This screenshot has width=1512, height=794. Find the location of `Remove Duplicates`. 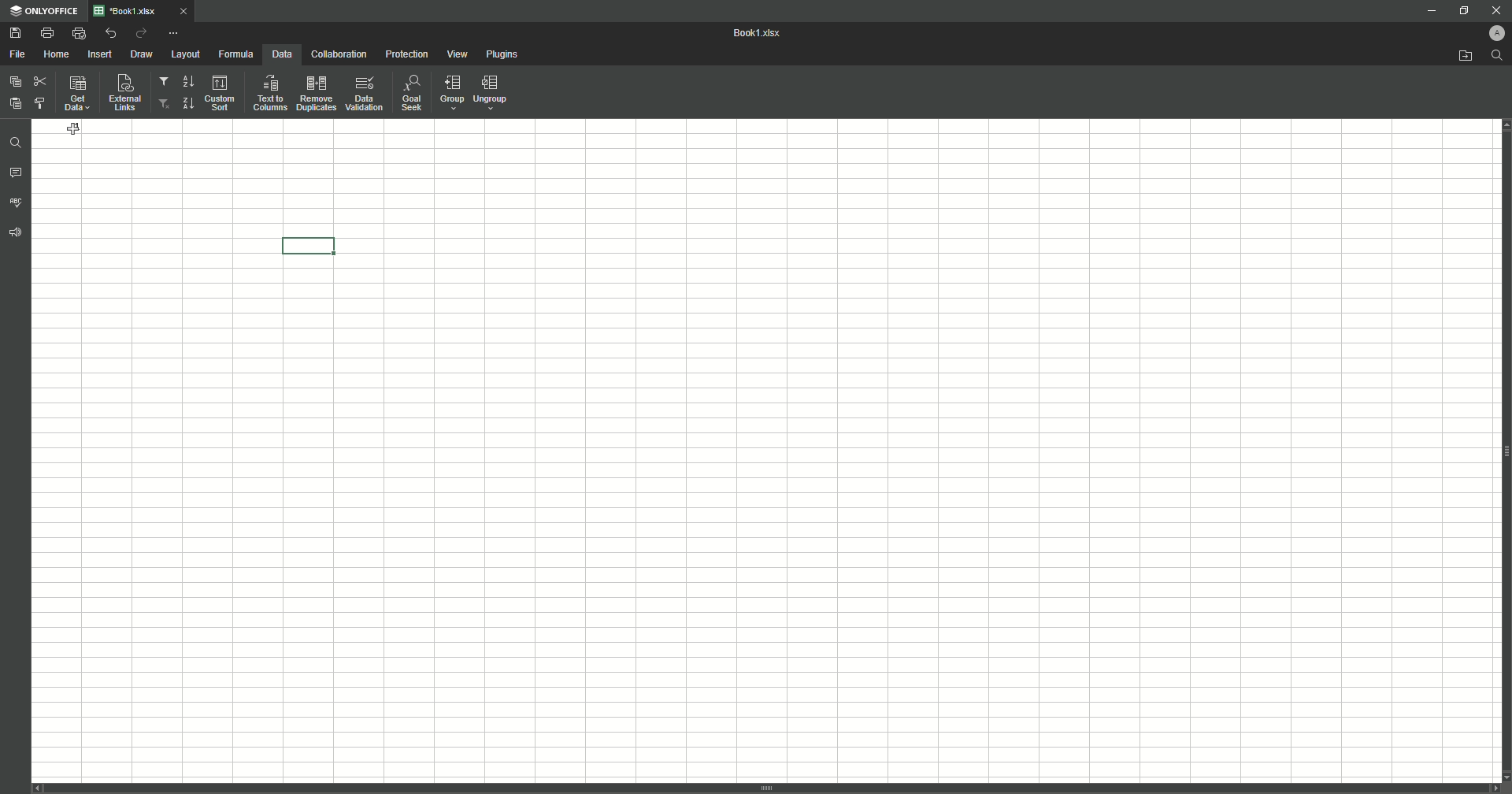

Remove Duplicates is located at coordinates (316, 93).